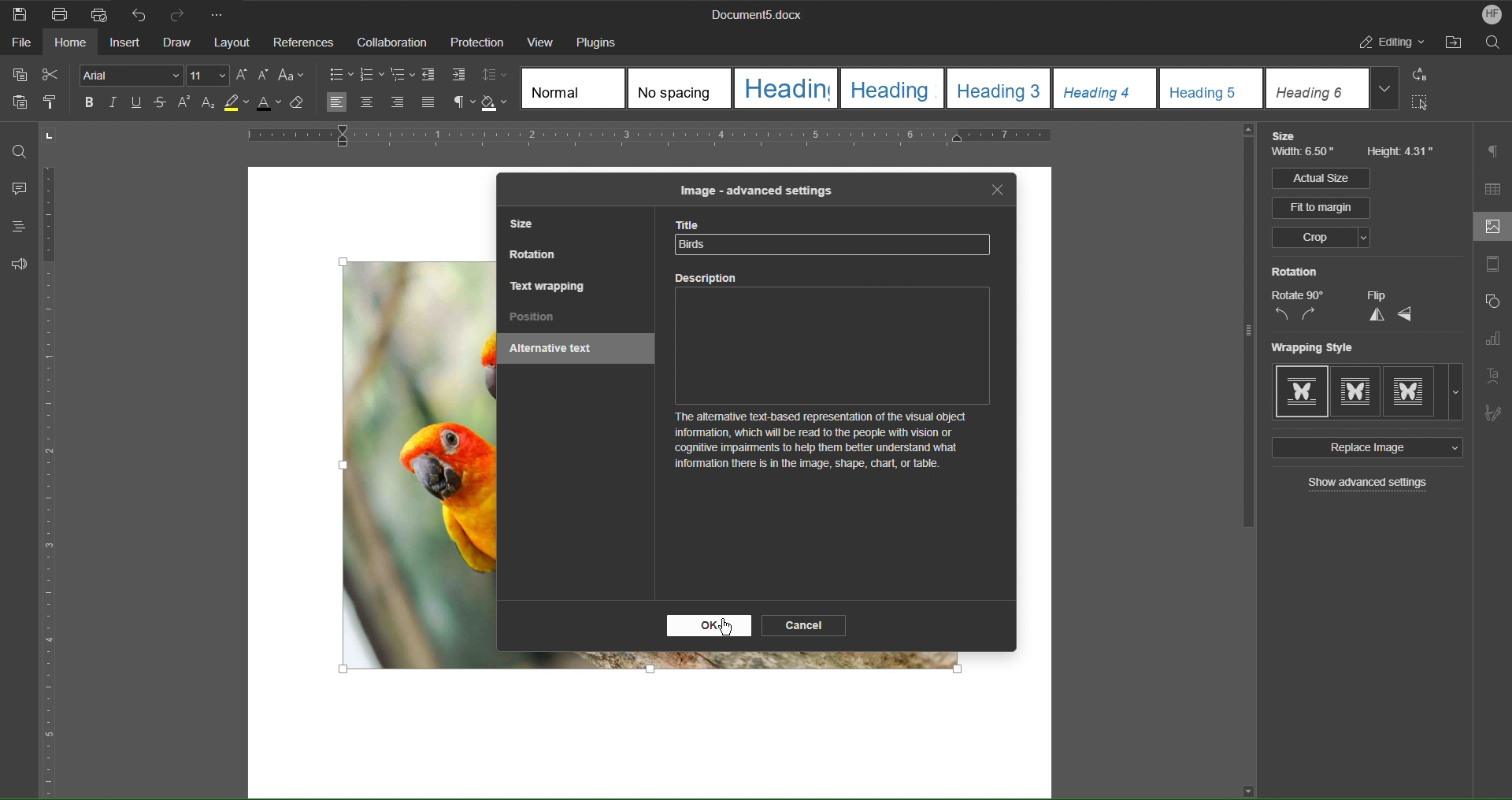  Describe the element at coordinates (1425, 106) in the screenshot. I see `Select All` at that location.